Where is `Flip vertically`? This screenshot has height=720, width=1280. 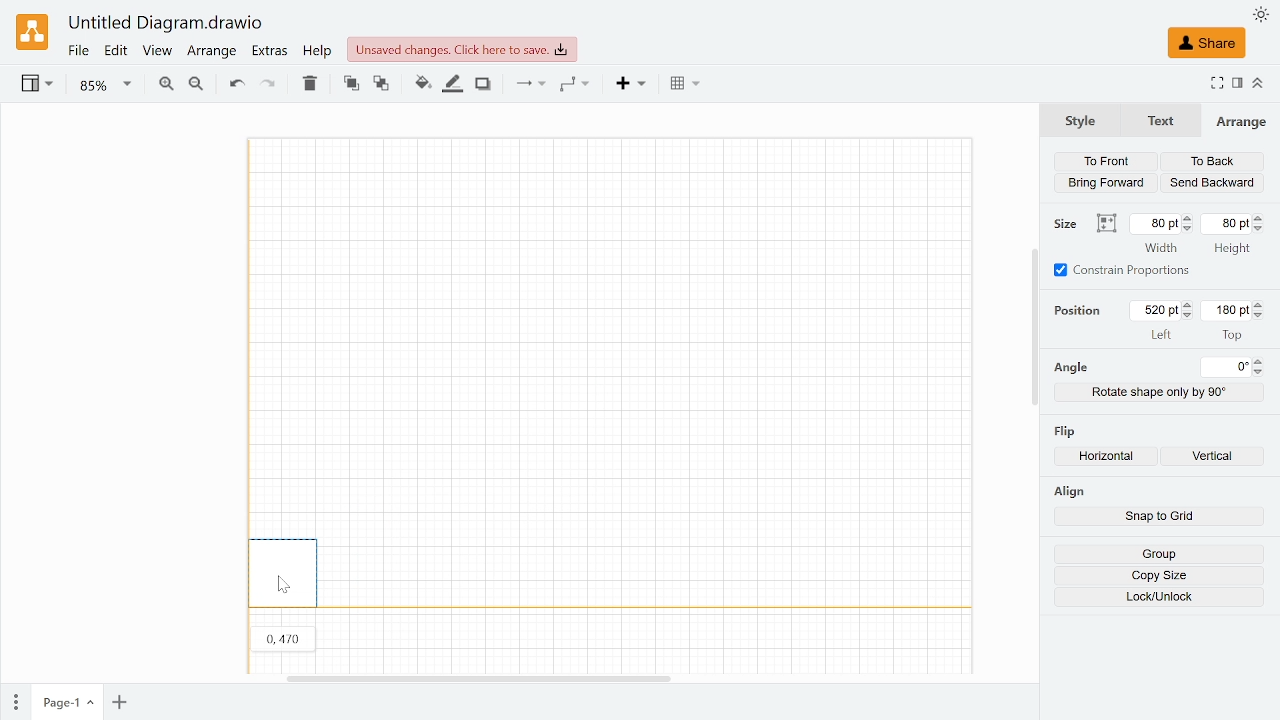
Flip vertically is located at coordinates (1218, 458).